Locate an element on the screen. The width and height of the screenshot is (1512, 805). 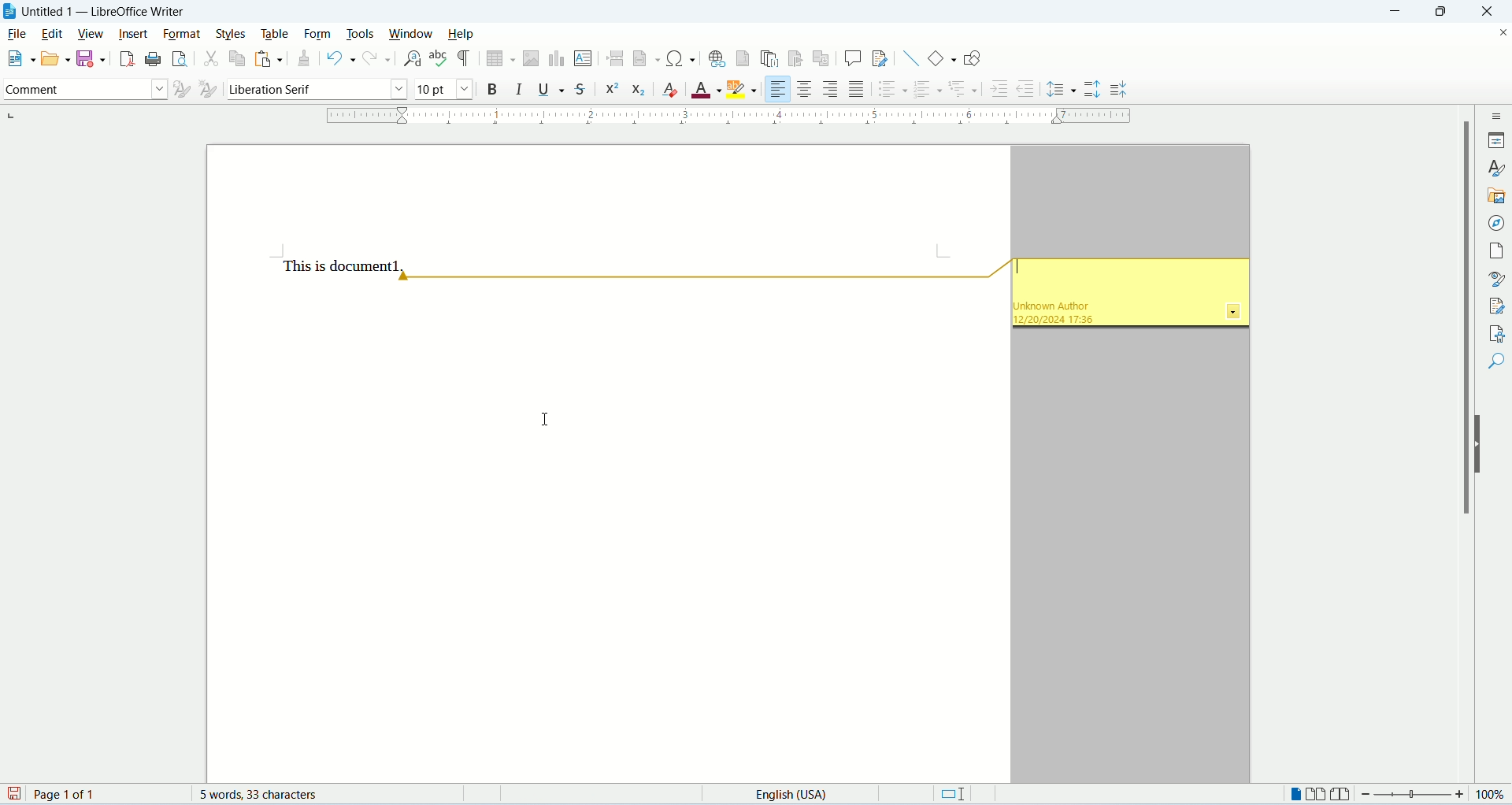
insert textbox is located at coordinates (584, 58).